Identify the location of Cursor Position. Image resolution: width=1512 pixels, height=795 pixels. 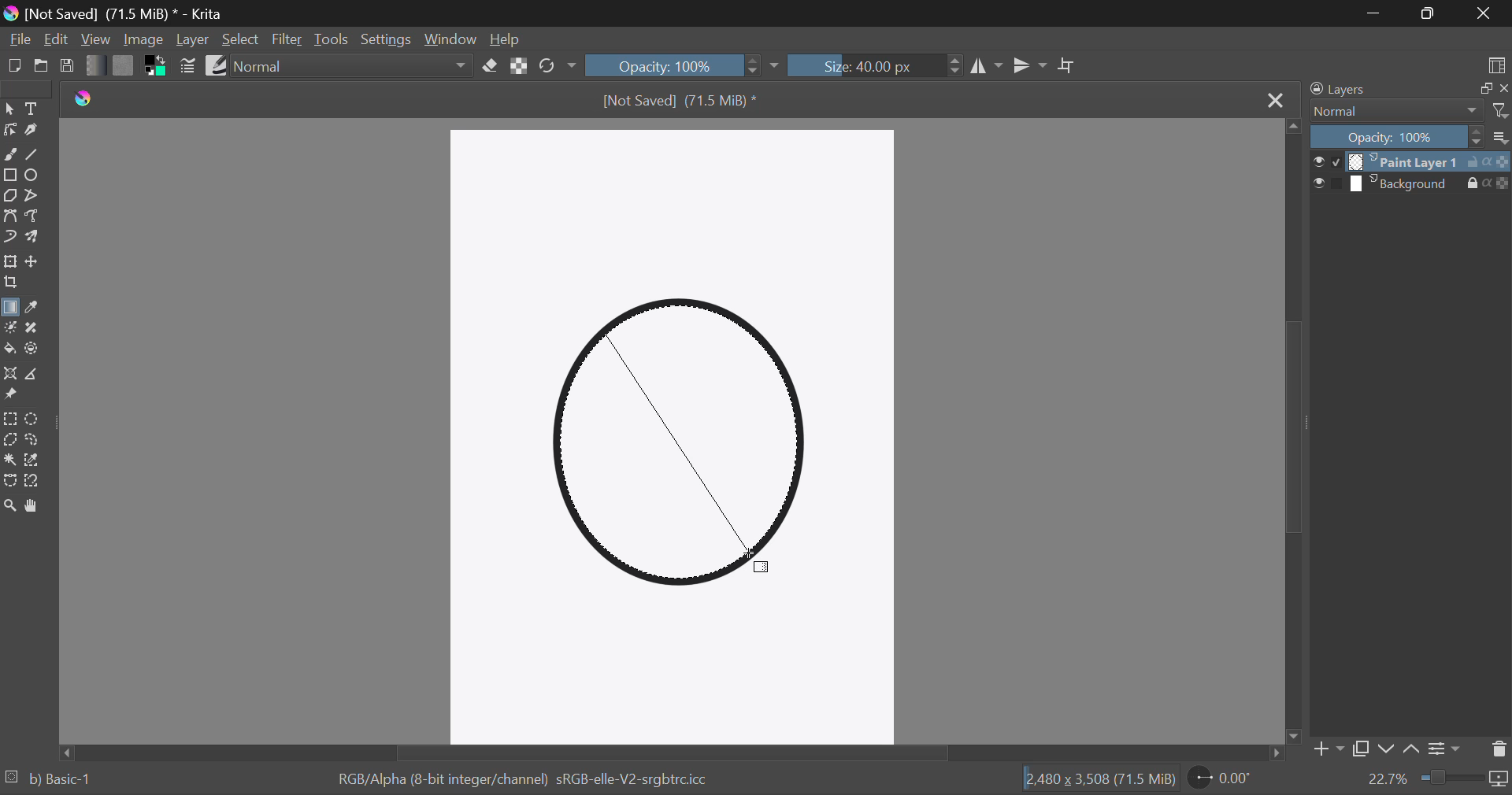
(762, 560).